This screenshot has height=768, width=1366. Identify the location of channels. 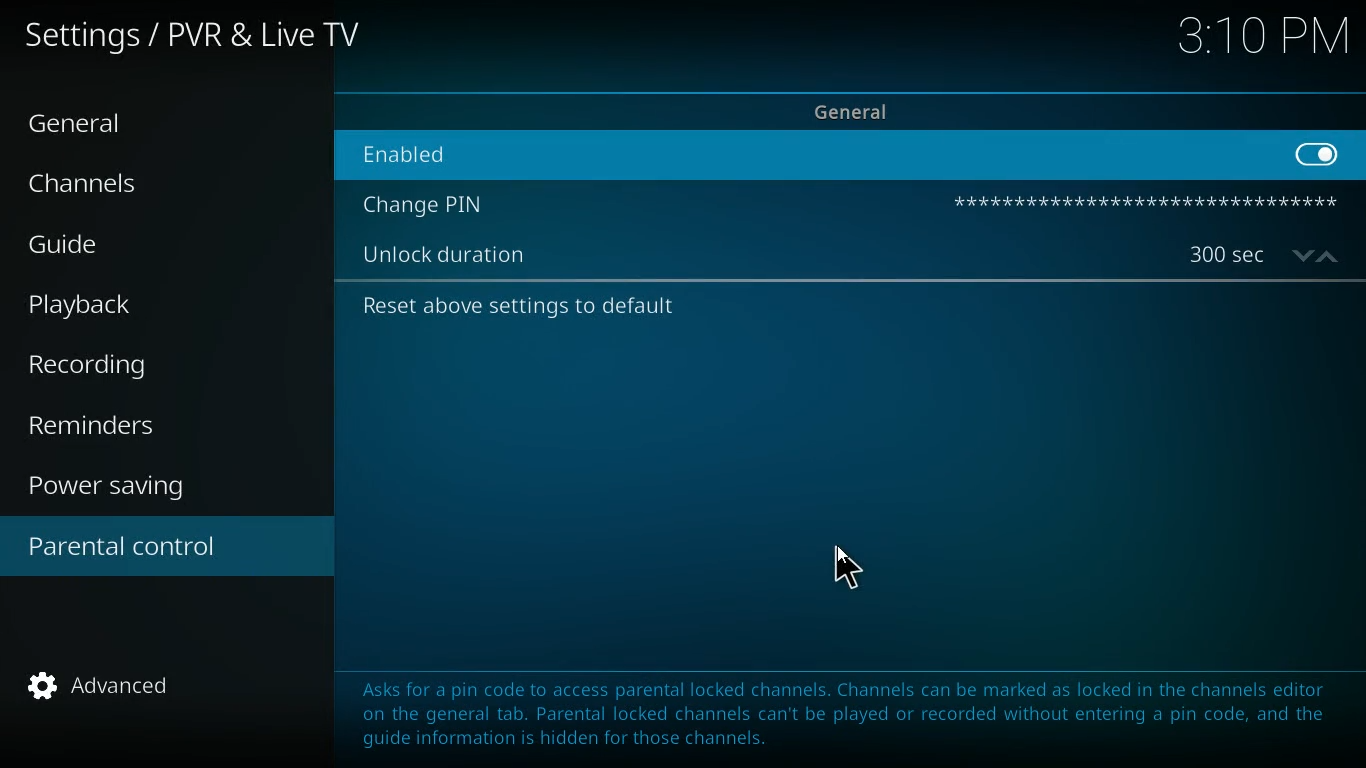
(101, 188).